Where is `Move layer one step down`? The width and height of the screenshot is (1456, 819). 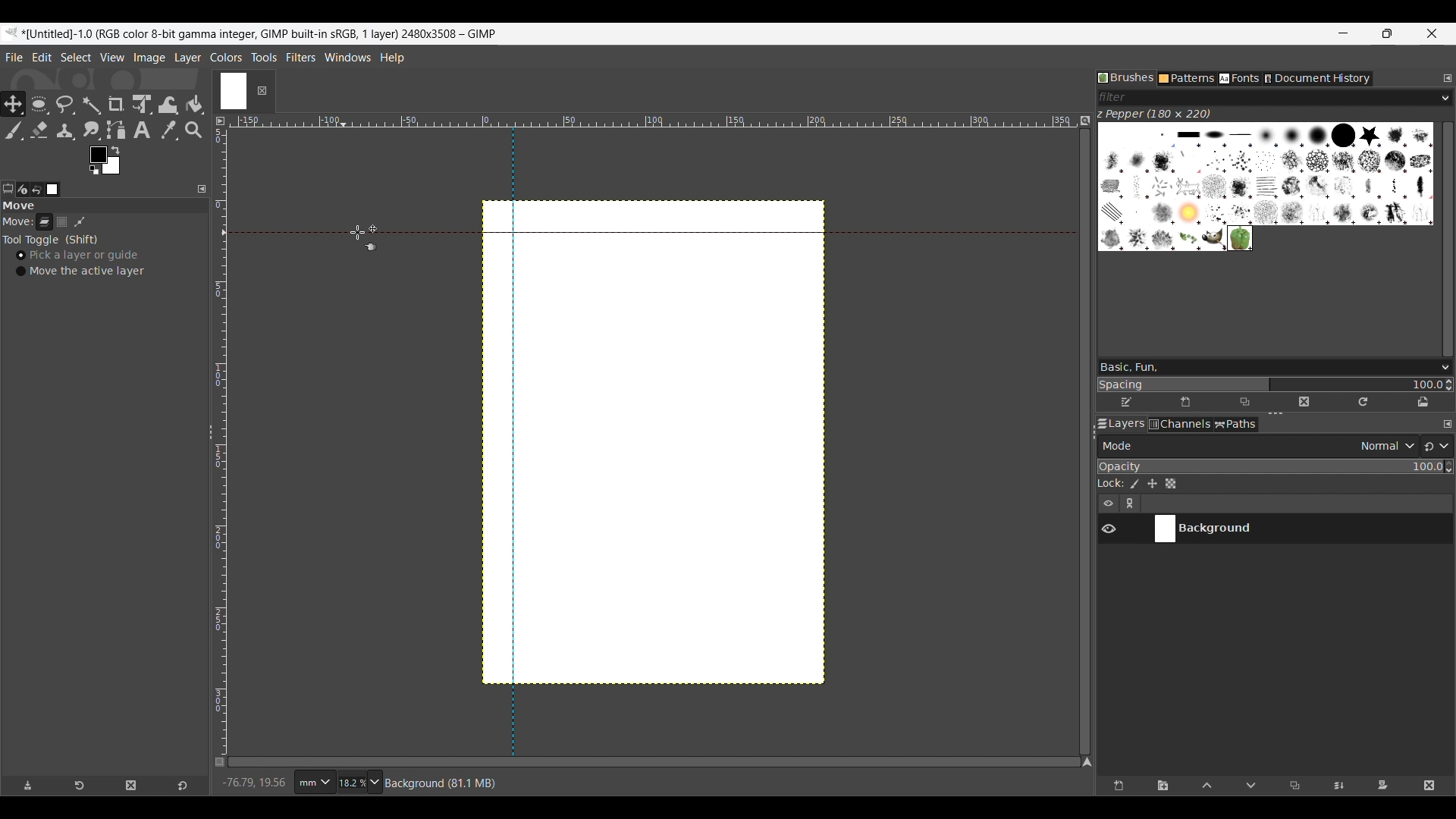 Move layer one step down is located at coordinates (1251, 786).